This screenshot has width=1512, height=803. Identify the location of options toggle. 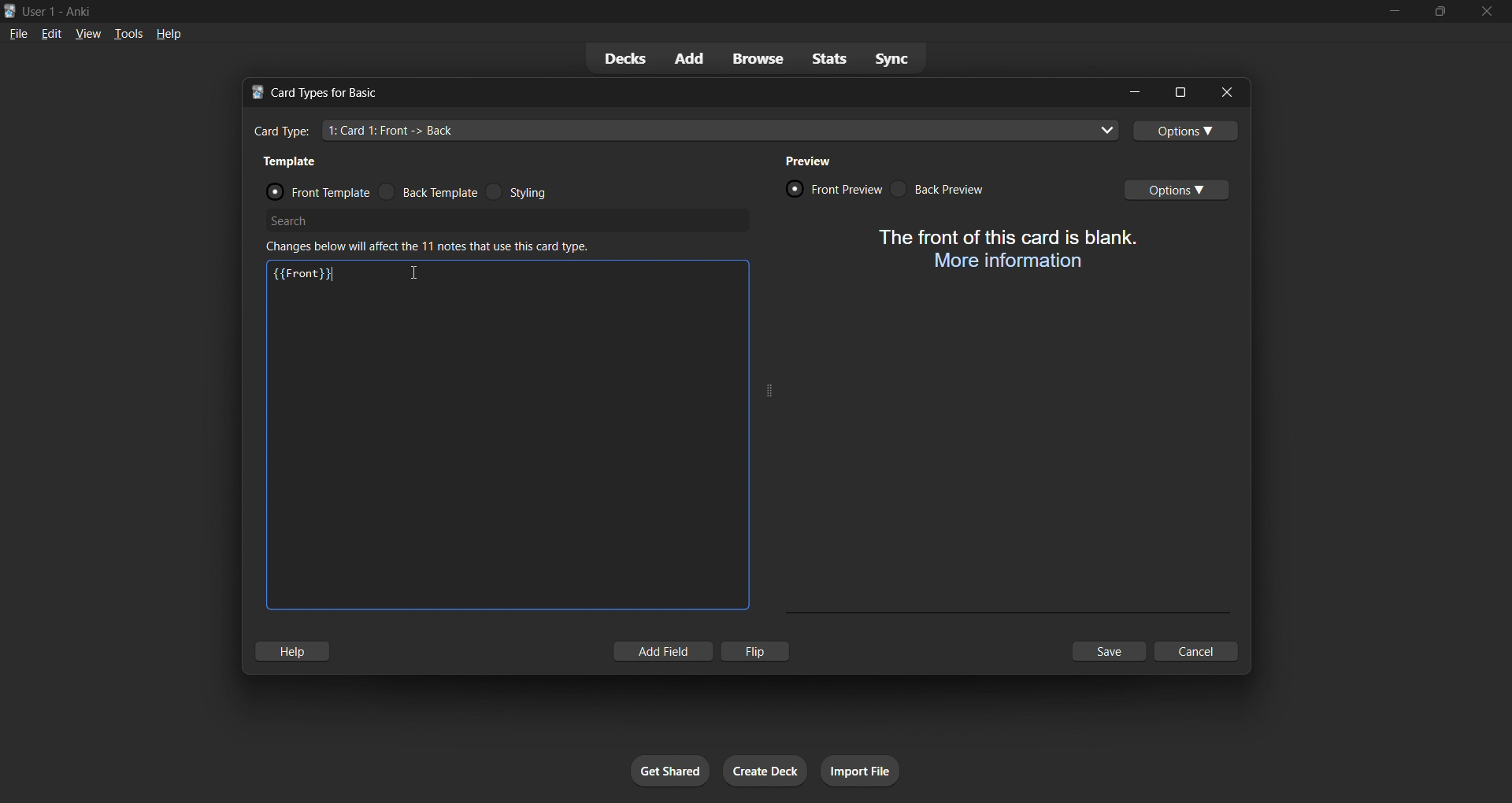
(1184, 189).